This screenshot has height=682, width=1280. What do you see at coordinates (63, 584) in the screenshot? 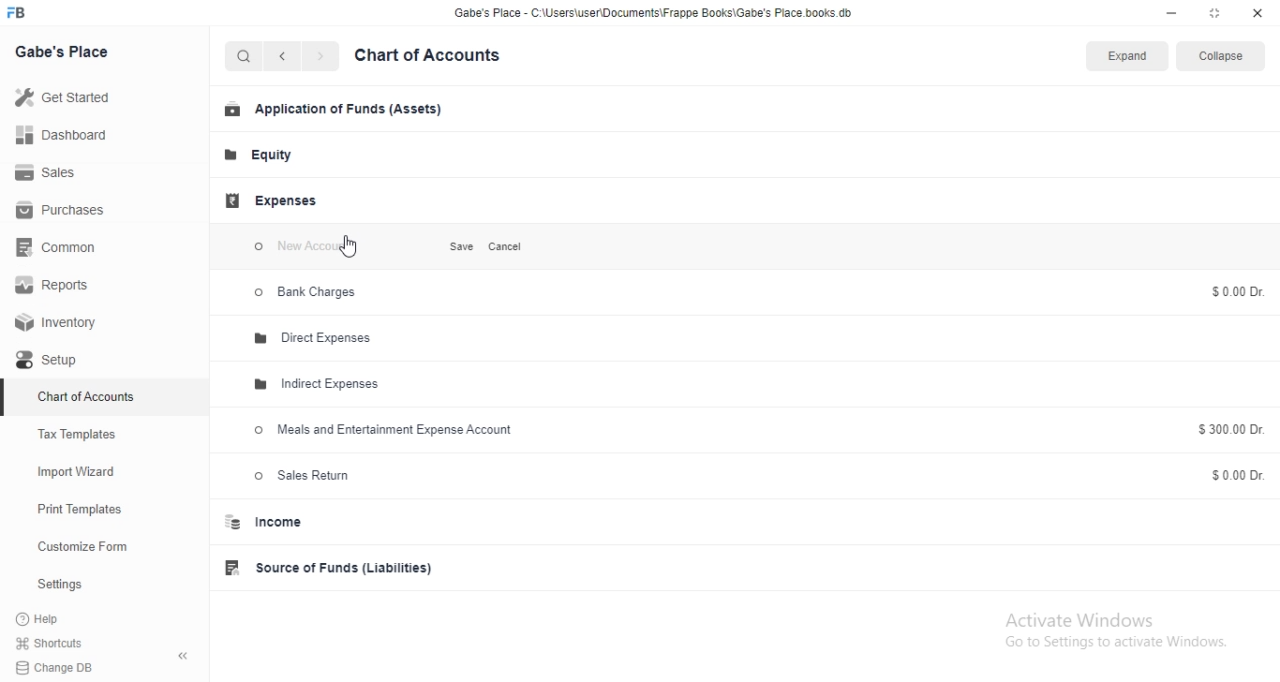
I see `Settings` at bounding box center [63, 584].